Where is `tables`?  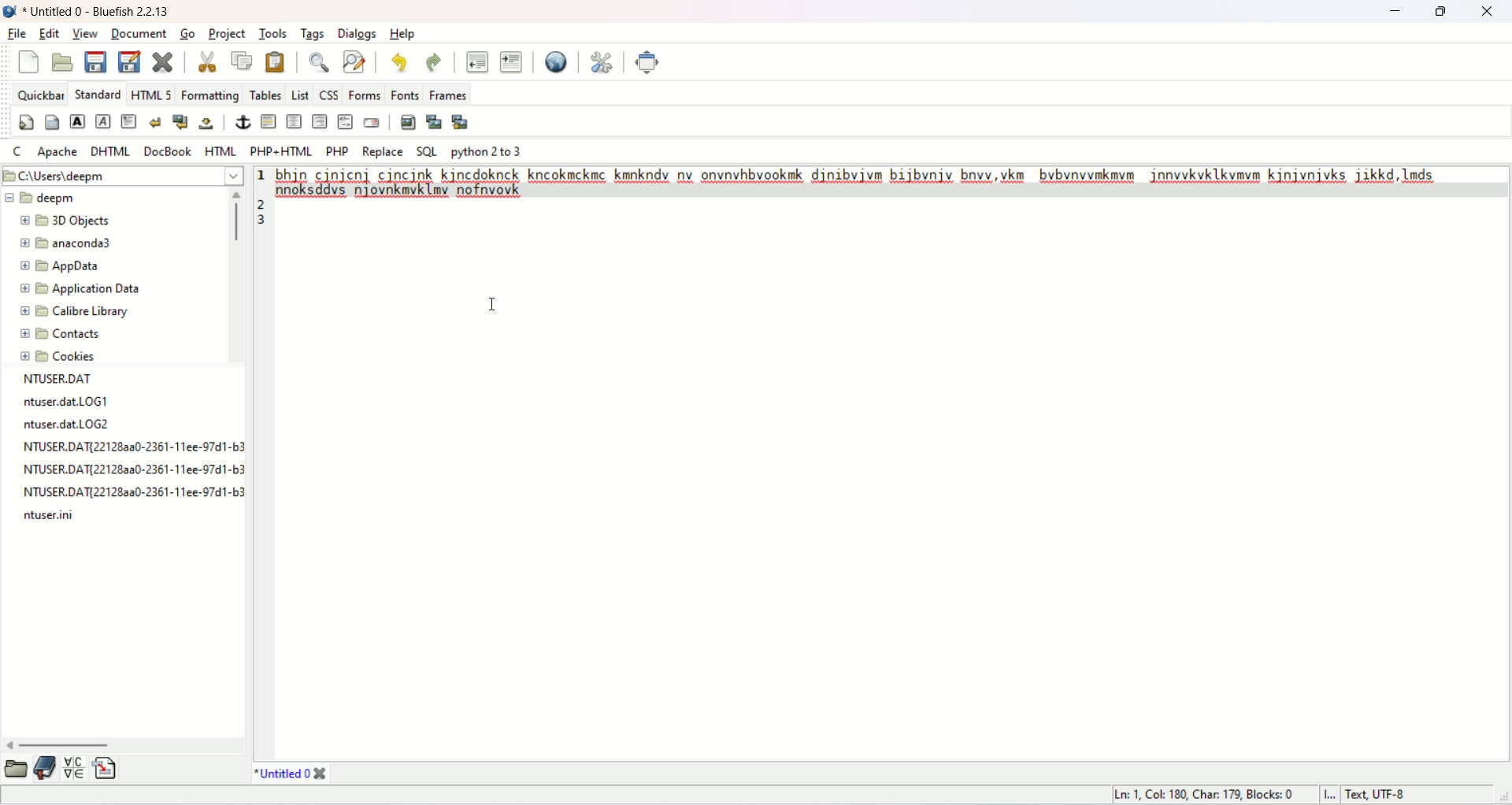
tables is located at coordinates (269, 92).